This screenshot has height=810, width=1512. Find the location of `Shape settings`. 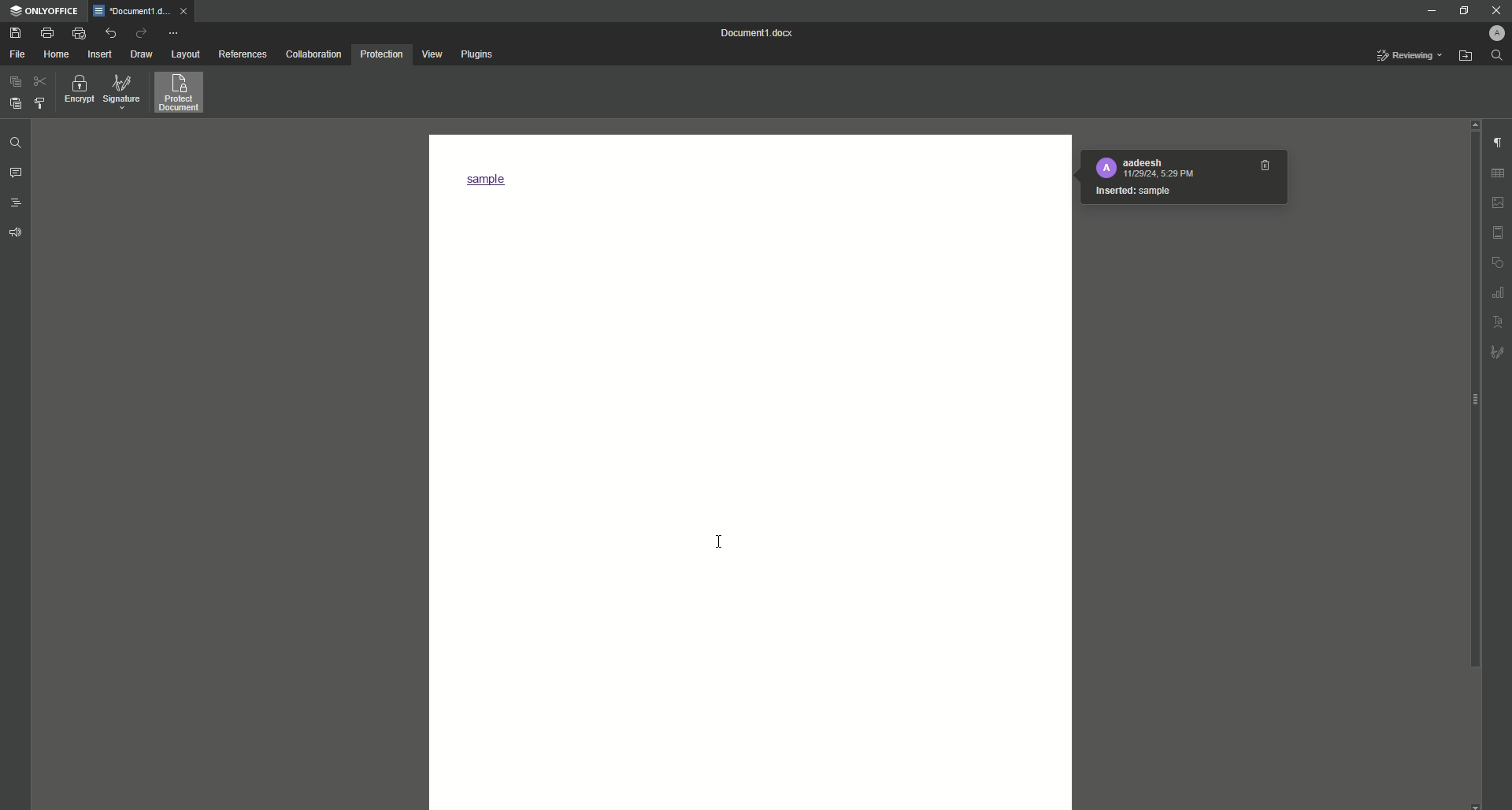

Shape settings is located at coordinates (1499, 263).